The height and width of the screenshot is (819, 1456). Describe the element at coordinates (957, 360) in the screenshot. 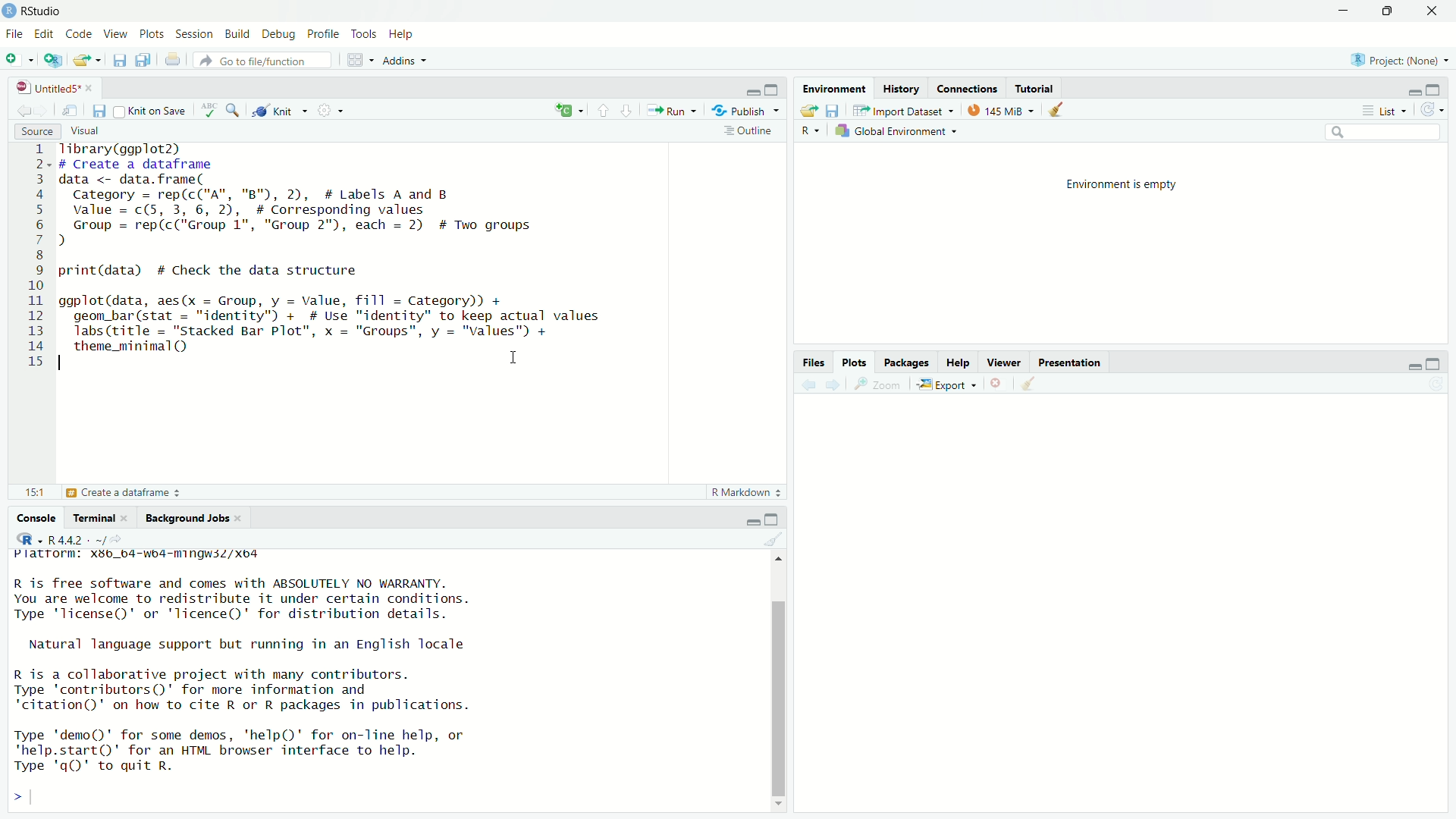

I see `Help` at that location.